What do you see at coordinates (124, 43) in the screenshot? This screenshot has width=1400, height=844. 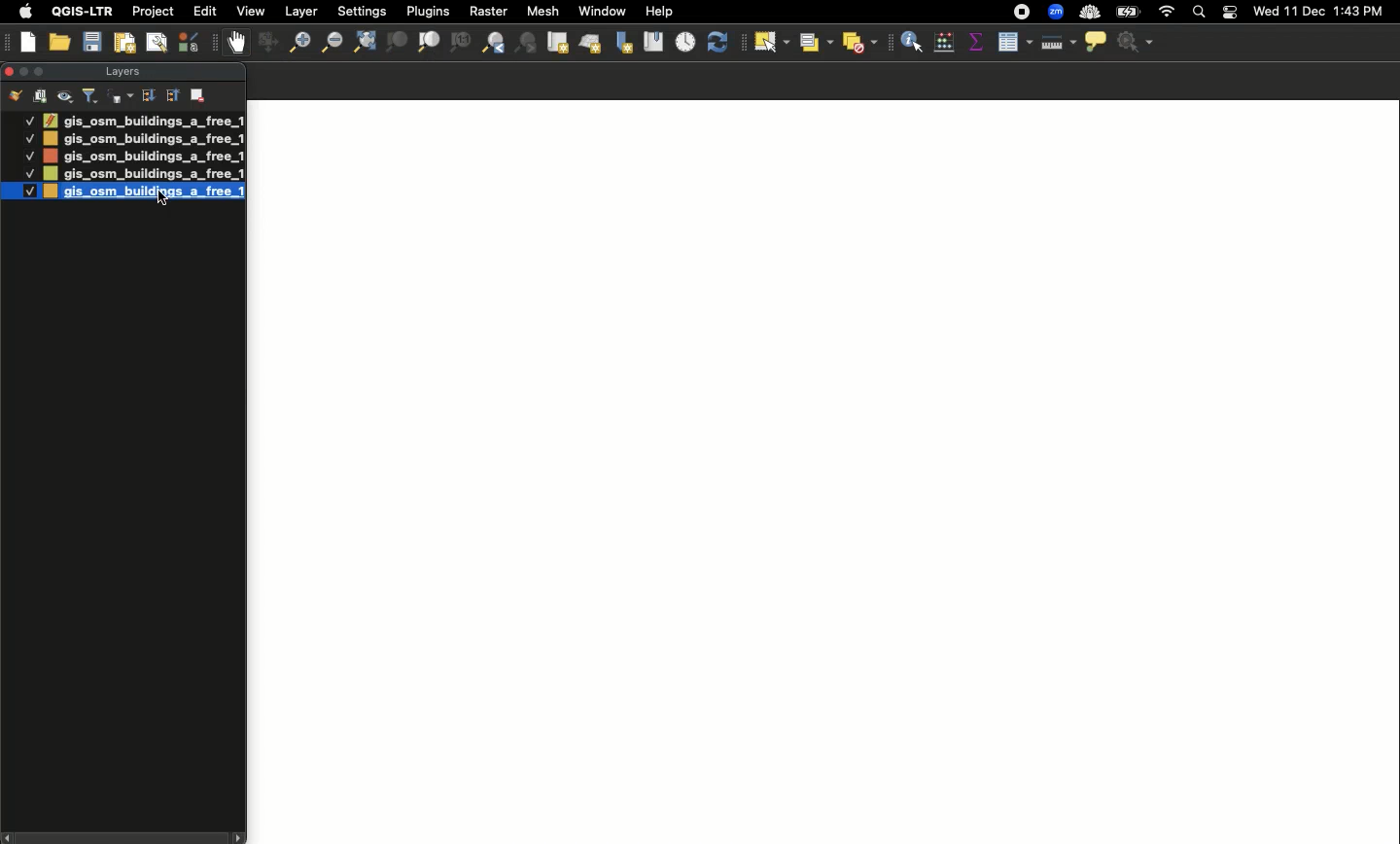 I see `New printout layer ` at bounding box center [124, 43].